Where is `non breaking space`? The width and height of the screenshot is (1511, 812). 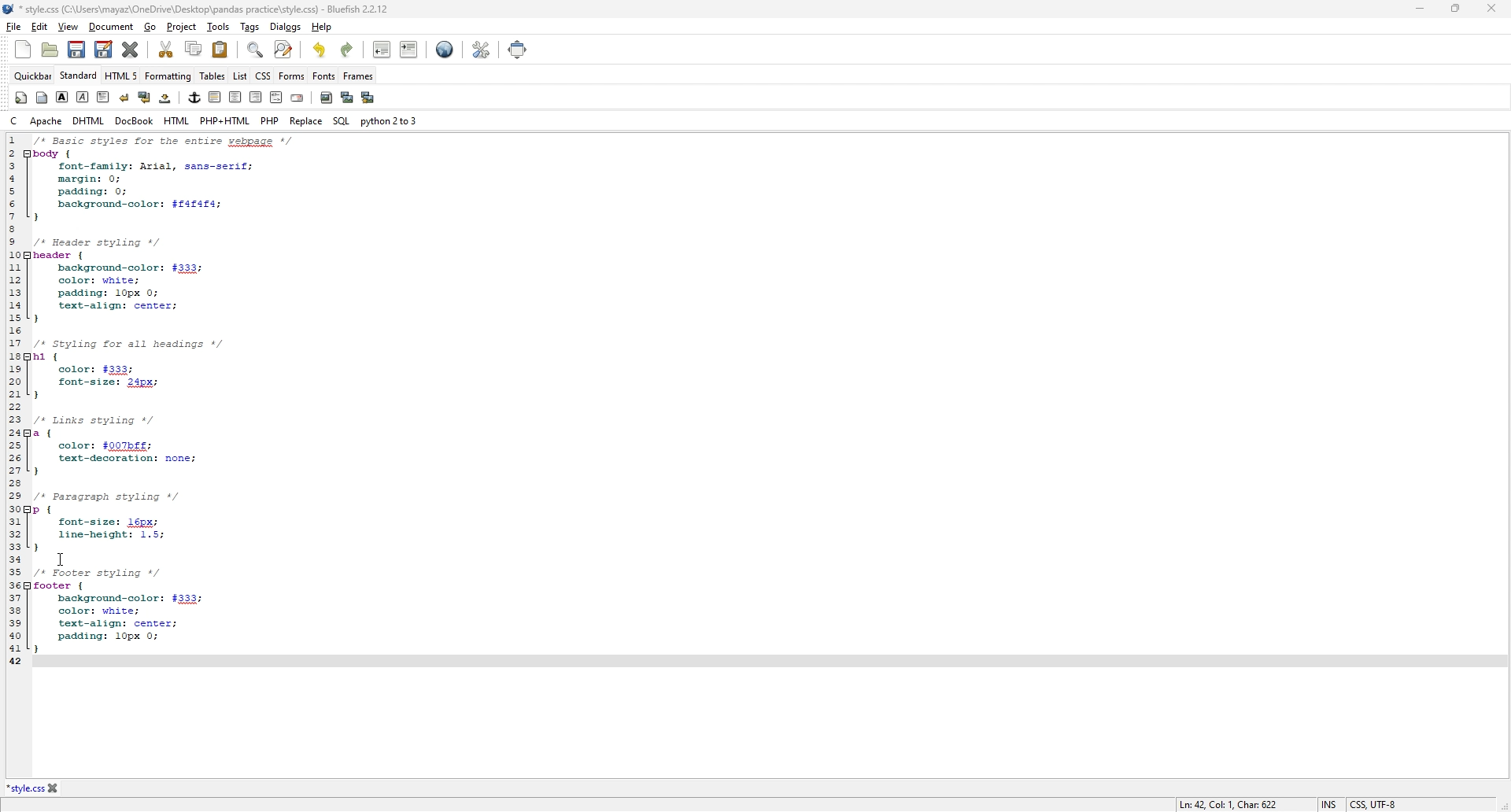 non breaking space is located at coordinates (166, 98).